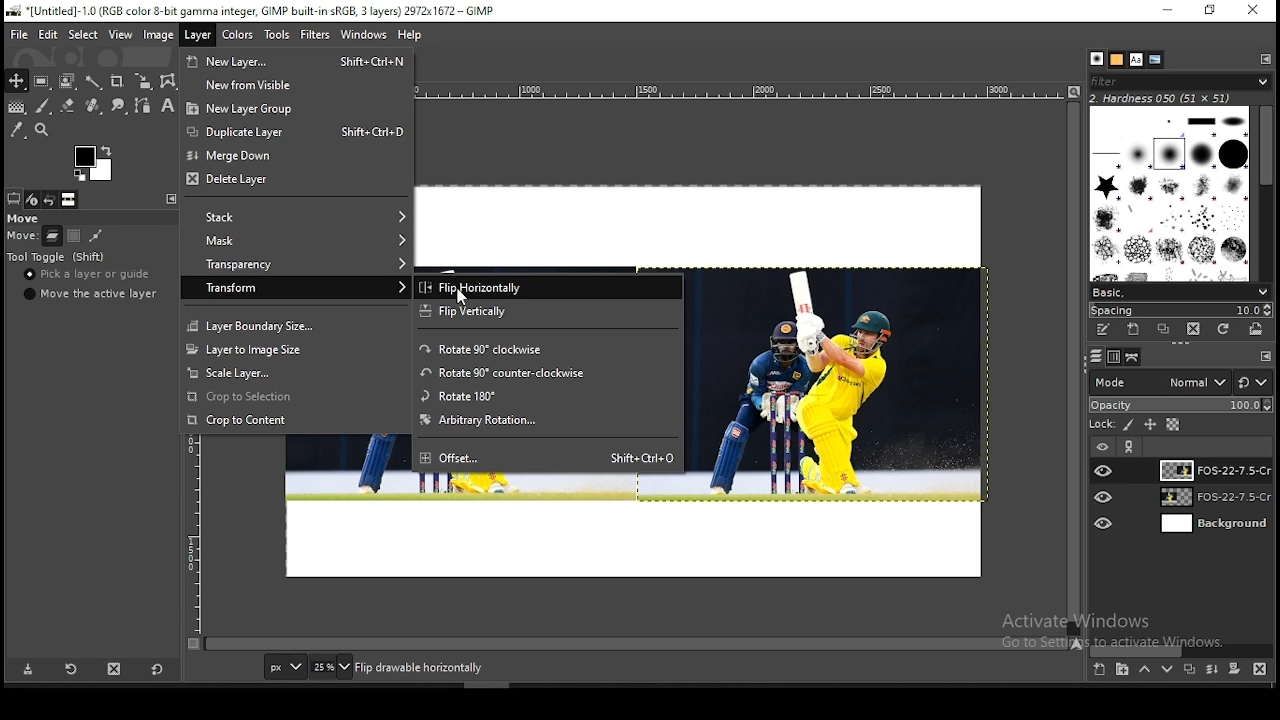  What do you see at coordinates (1097, 59) in the screenshot?
I see `brushes` at bounding box center [1097, 59].